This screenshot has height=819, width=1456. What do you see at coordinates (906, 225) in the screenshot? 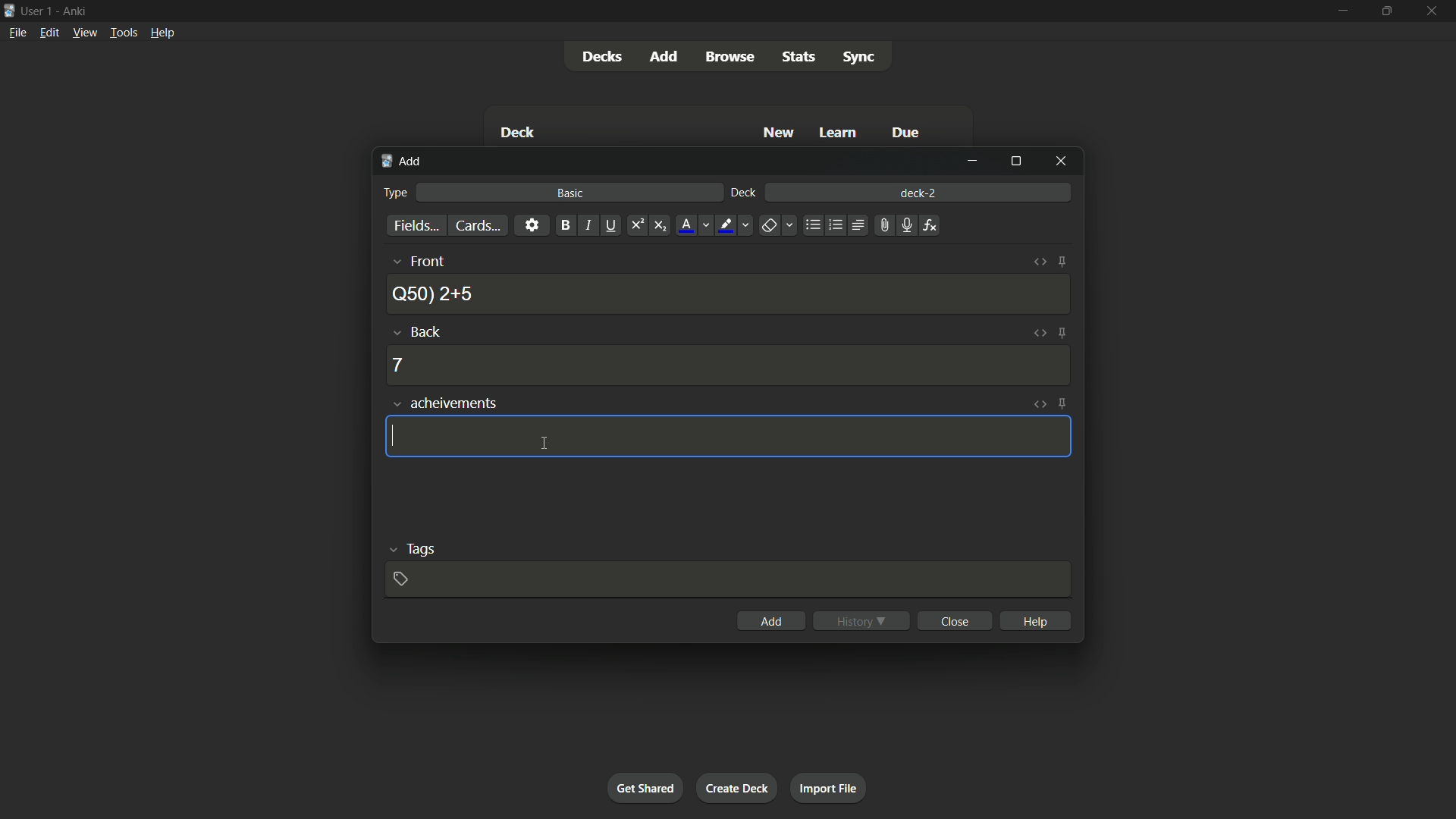
I see `record audio` at bounding box center [906, 225].